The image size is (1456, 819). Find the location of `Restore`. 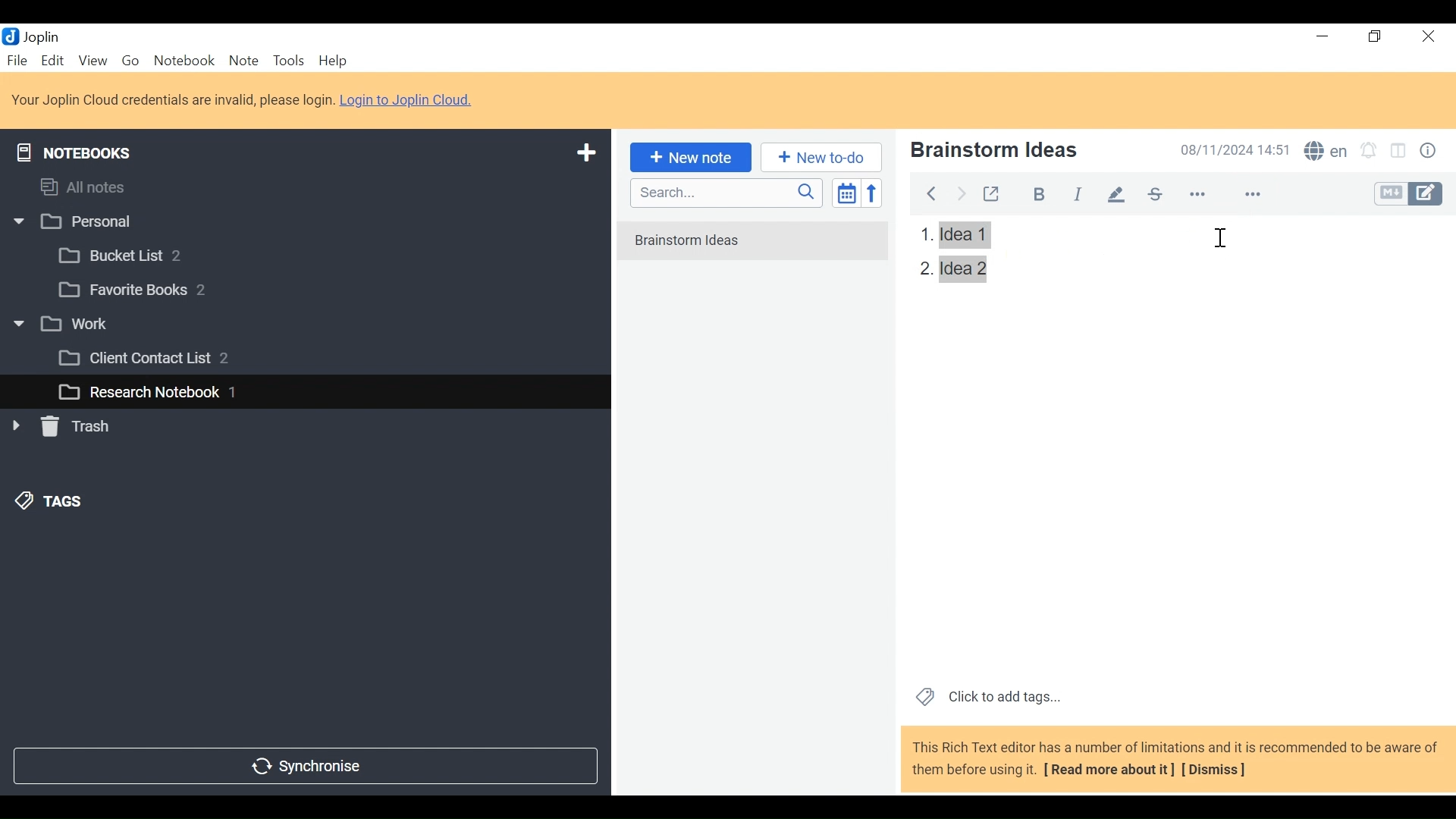

Restore is located at coordinates (1376, 37).